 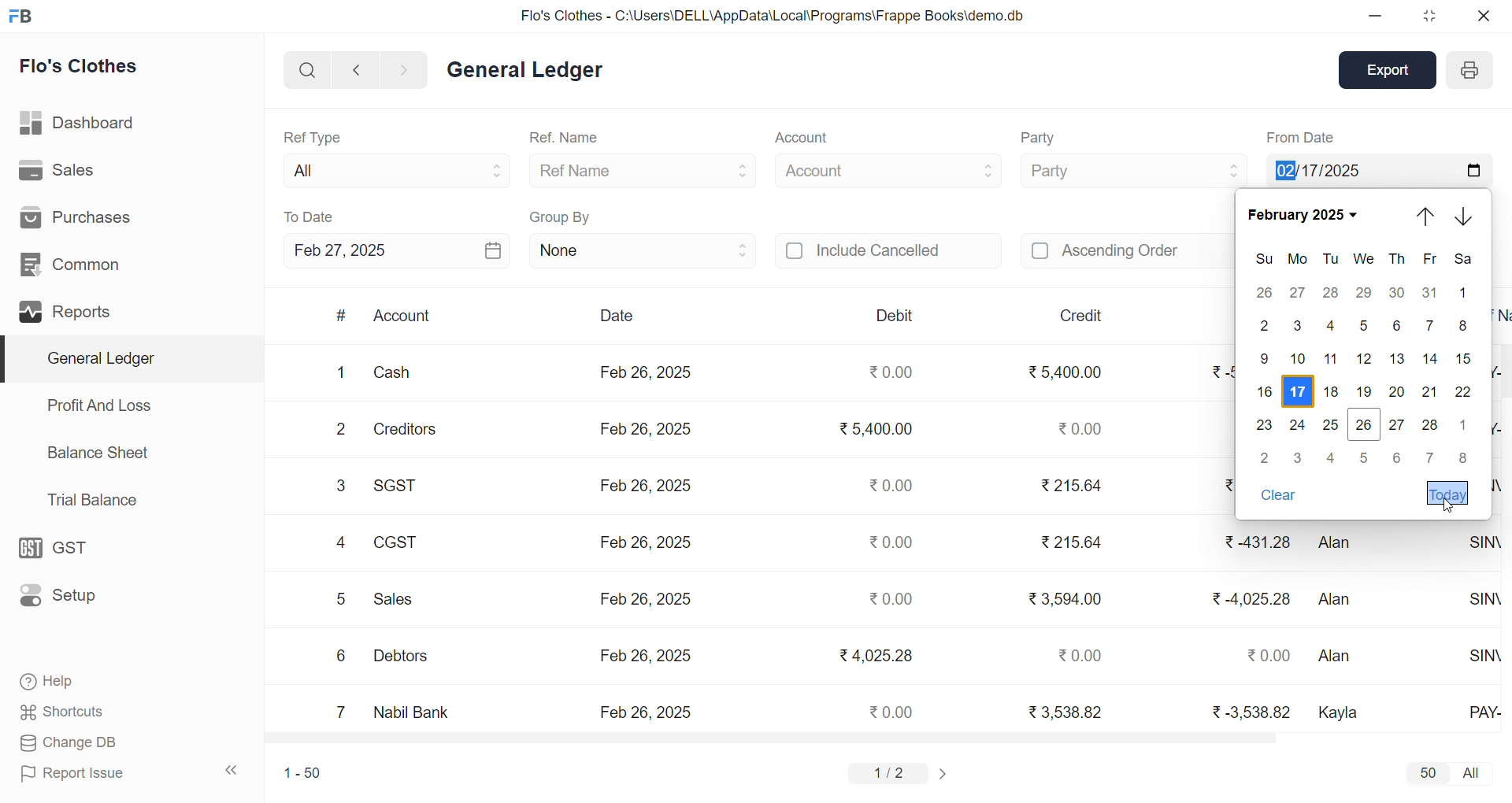 What do you see at coordinates (1299, 456) in the screenshot?
I see `3` at bounding box center [1299, 456].